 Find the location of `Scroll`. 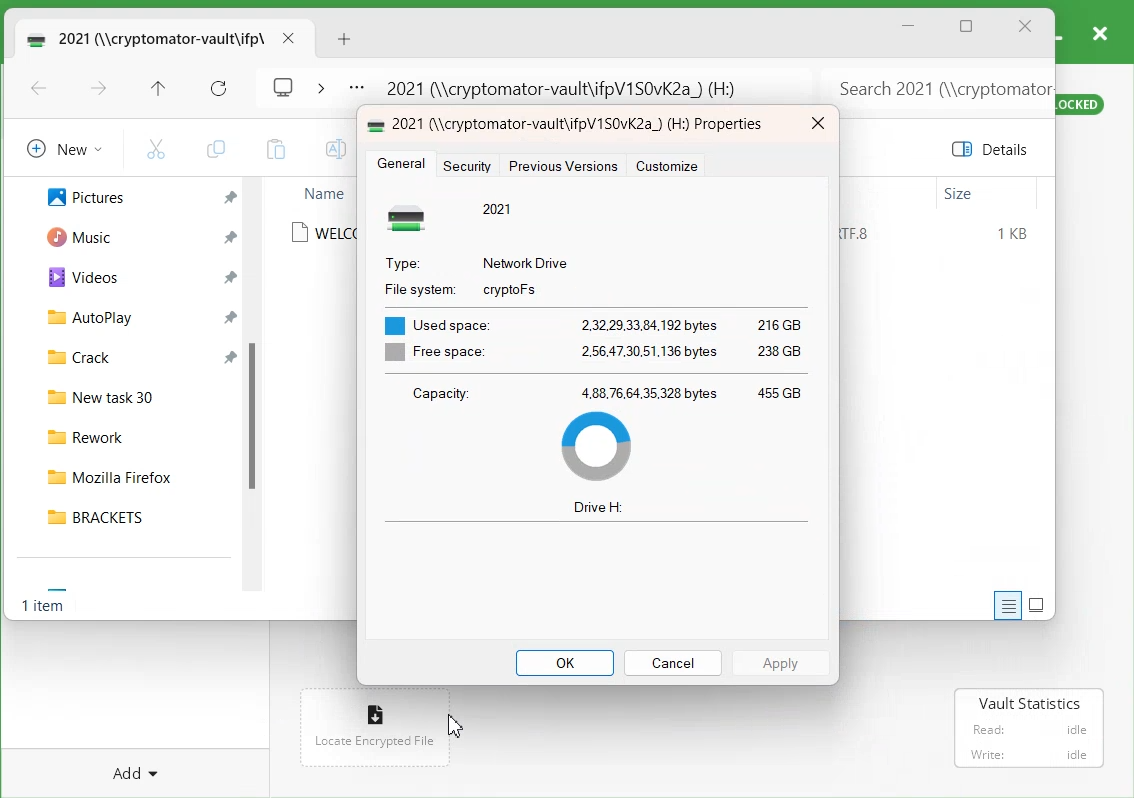

Scroll is located at coordinates (257, 391).